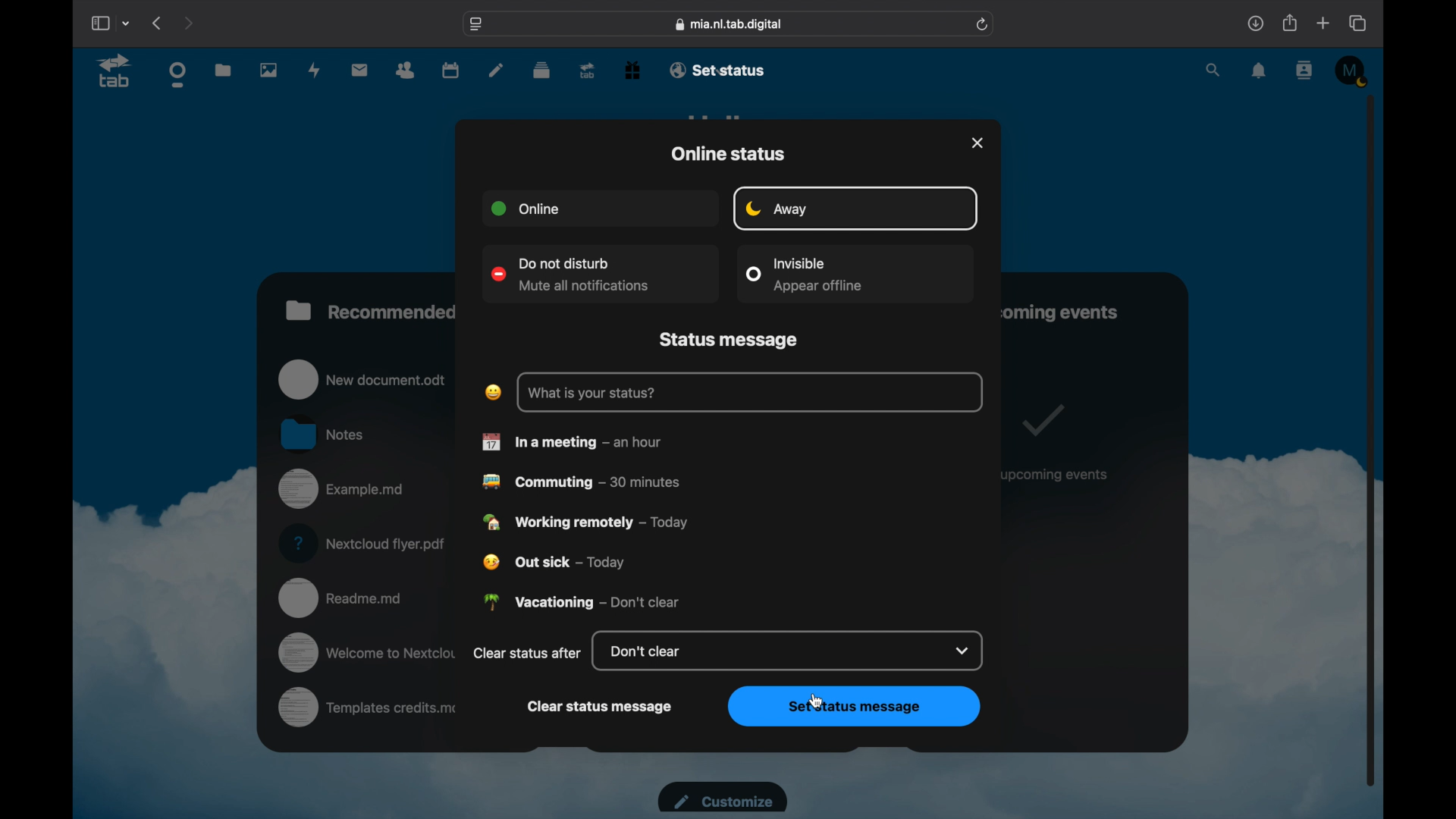 This screenshot has width=1456, height=819. What do you see at coordinates (731, 340) in the screenshot?
I see `status message` at bounding box center [731, 340].